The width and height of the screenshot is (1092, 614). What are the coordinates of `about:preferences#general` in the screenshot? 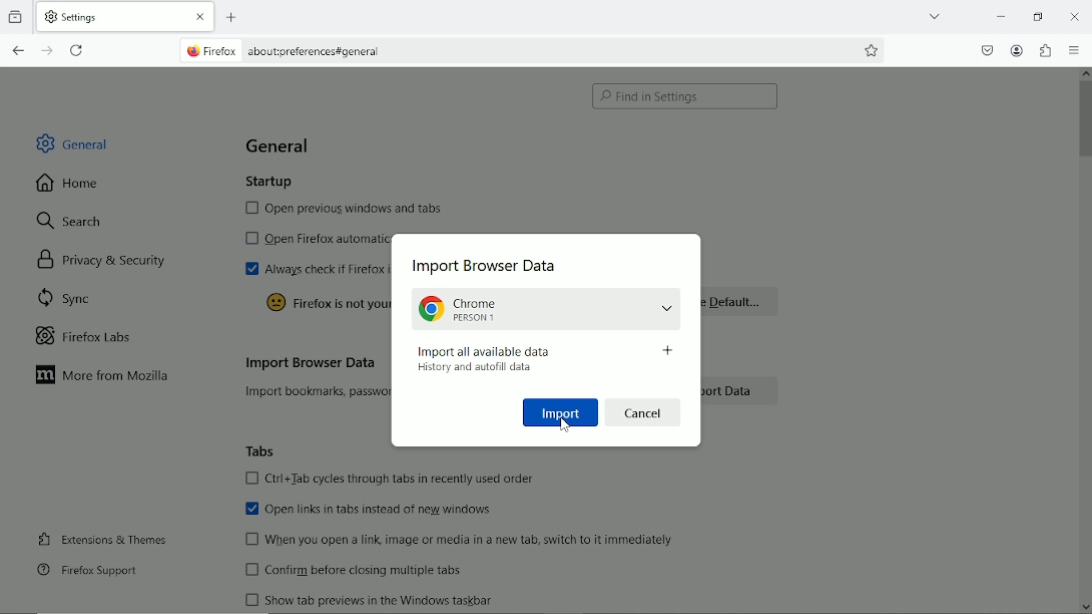 It's located at (316, 52).